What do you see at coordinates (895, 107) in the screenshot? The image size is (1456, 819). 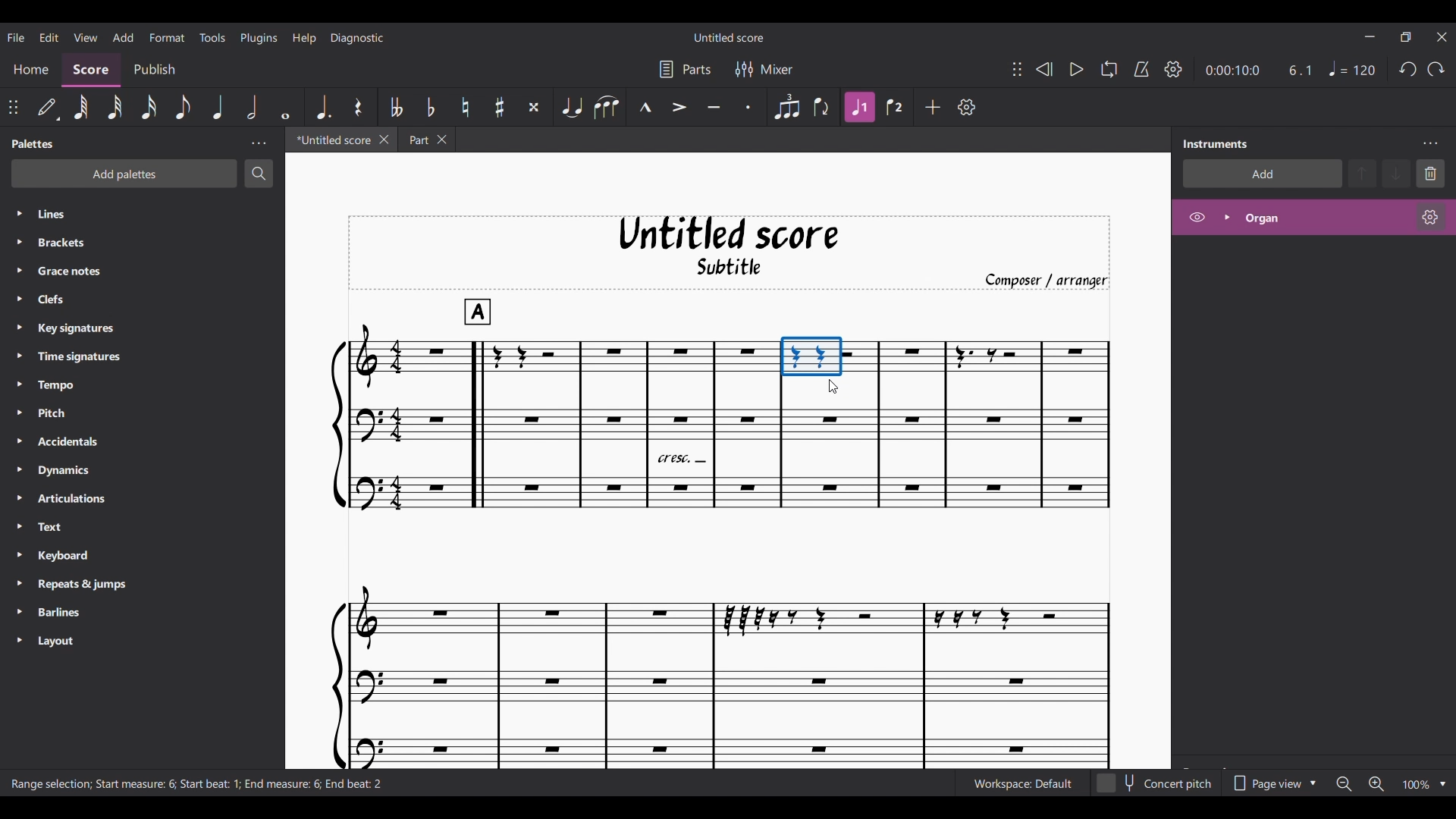 I see `Voice 2` at bounding box center [895, 107].